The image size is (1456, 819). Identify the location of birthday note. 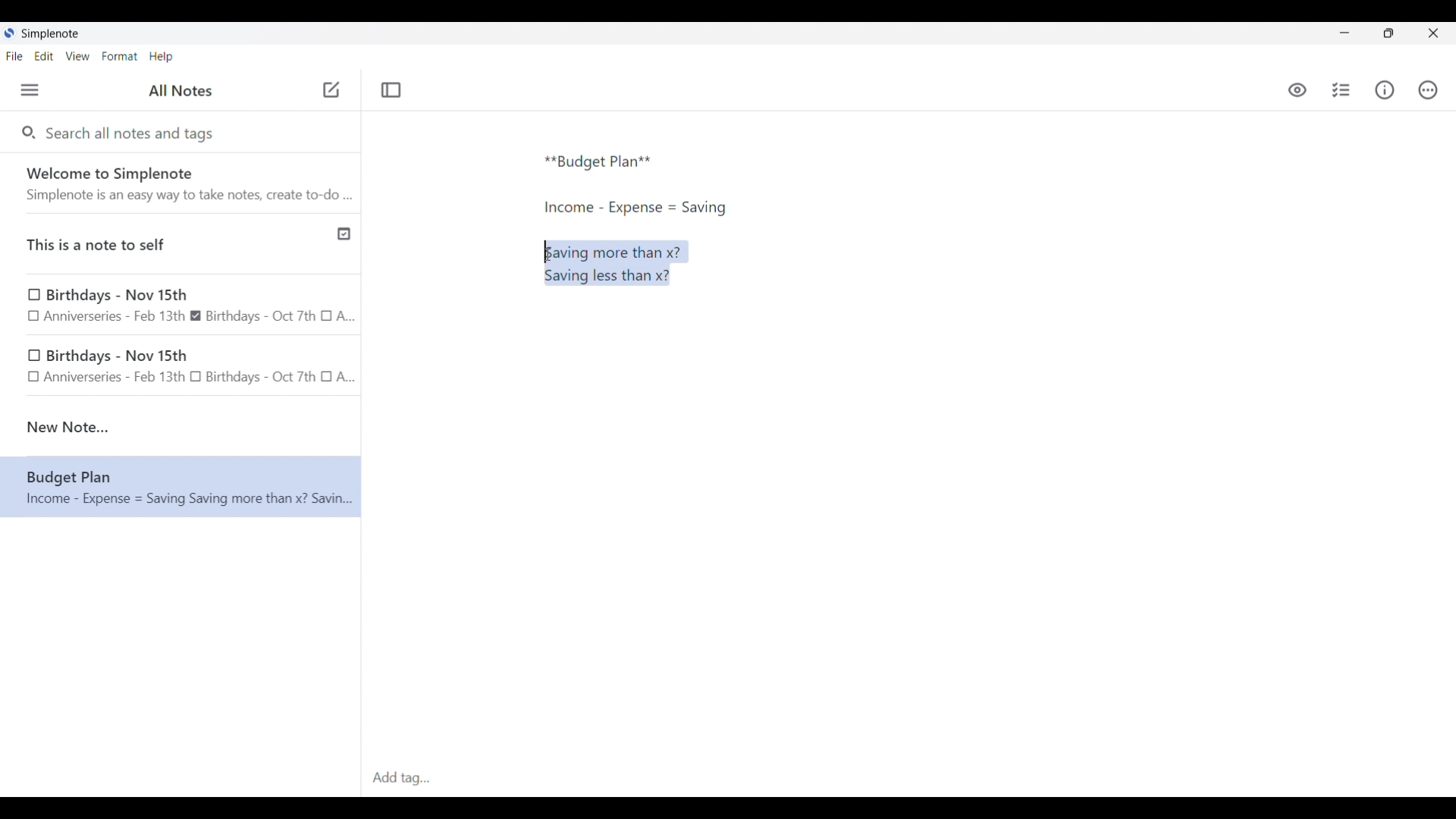
(182, 369).